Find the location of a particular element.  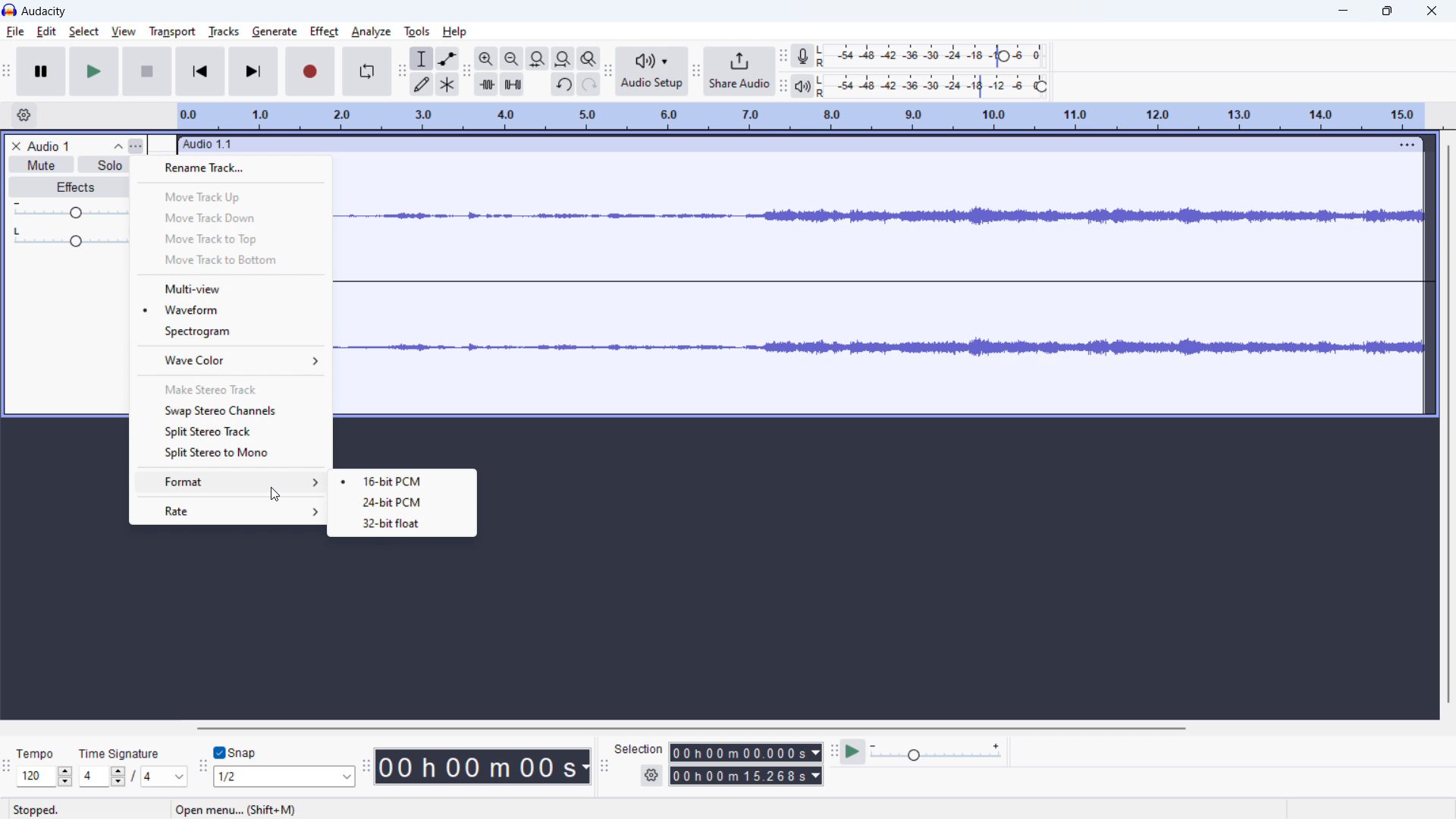

move track to bottom is located at coordinates (231, 260).